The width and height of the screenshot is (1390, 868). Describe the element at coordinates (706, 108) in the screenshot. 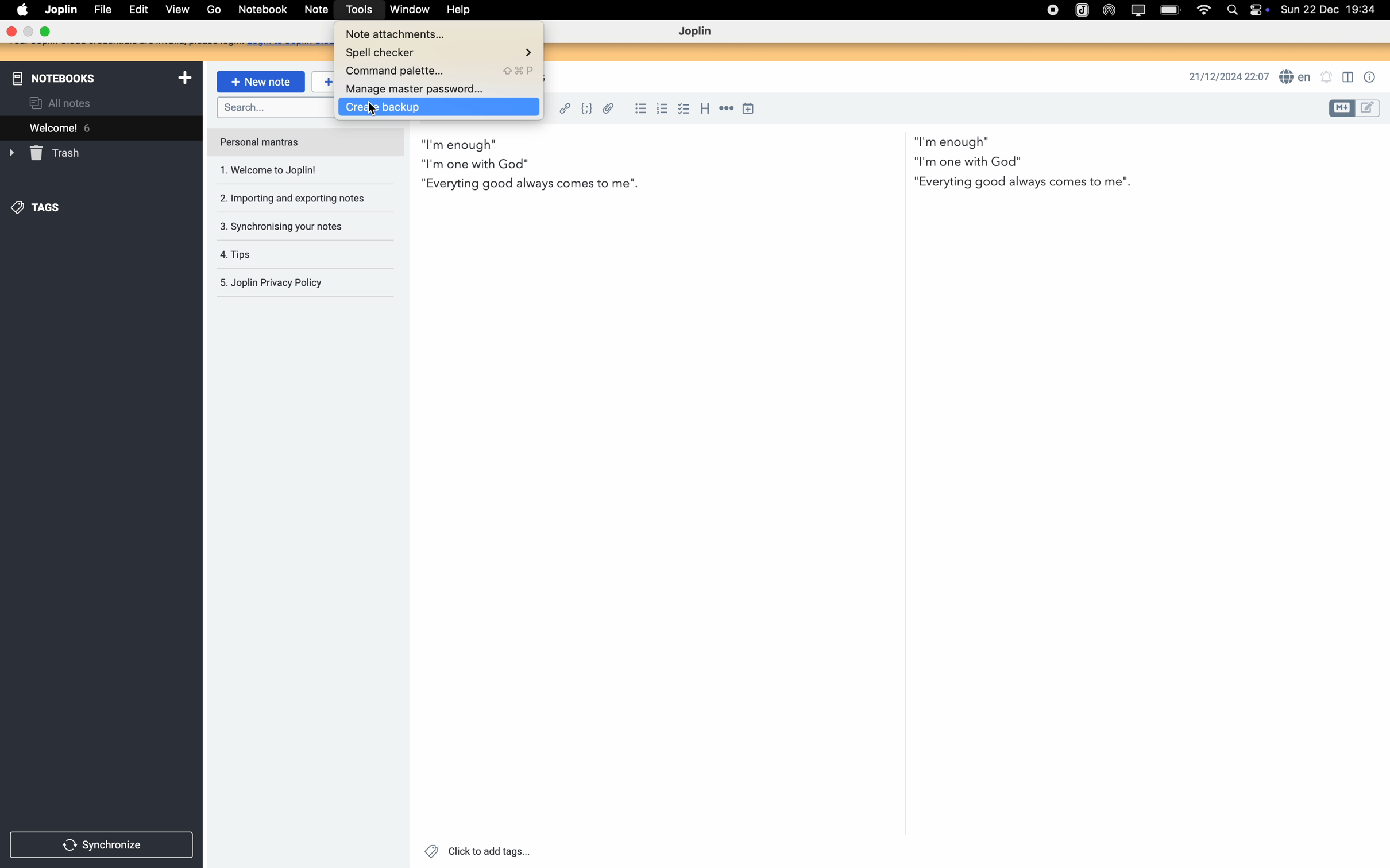

I see `heading` at that location.